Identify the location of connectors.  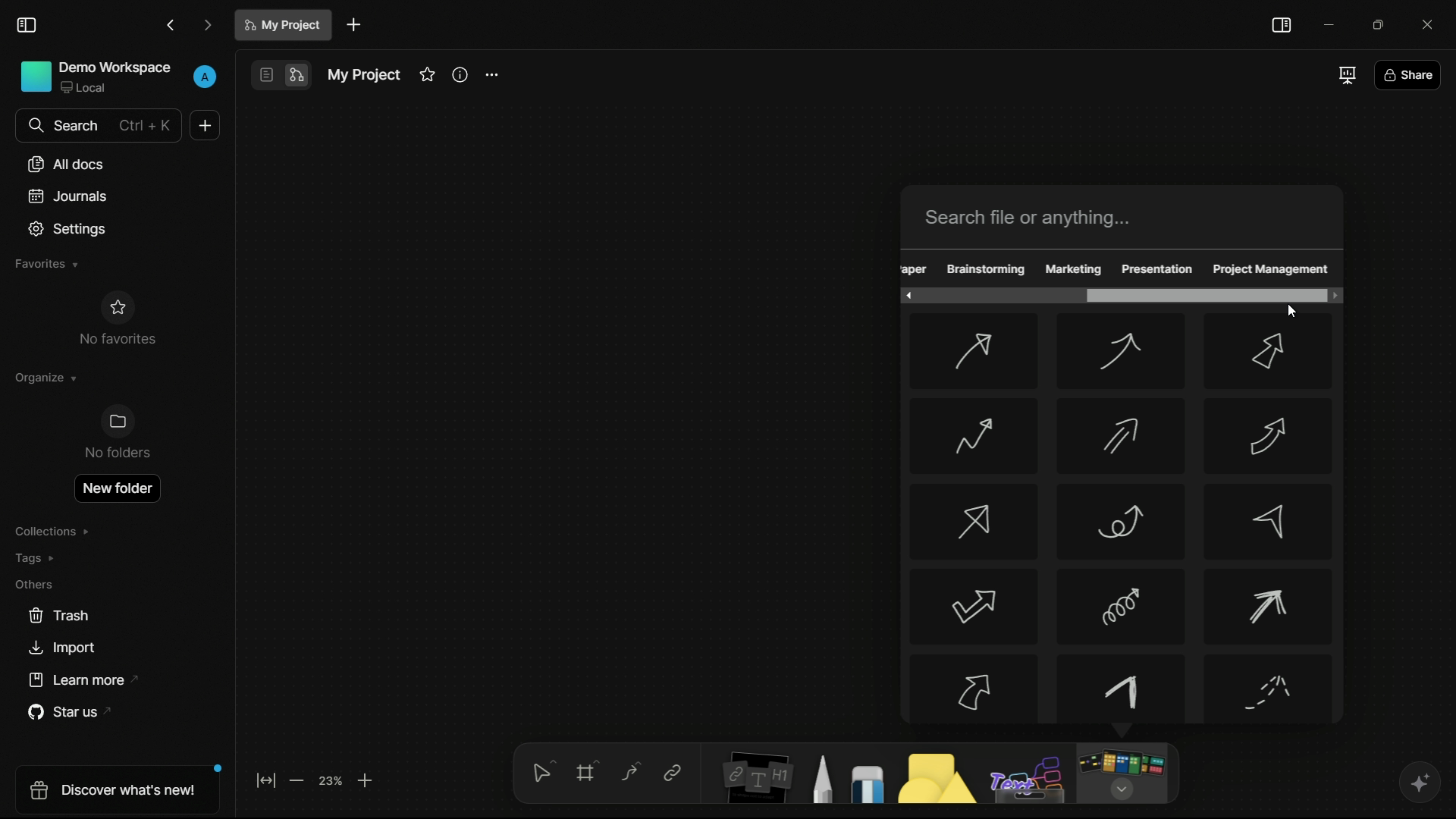
(630, 773).